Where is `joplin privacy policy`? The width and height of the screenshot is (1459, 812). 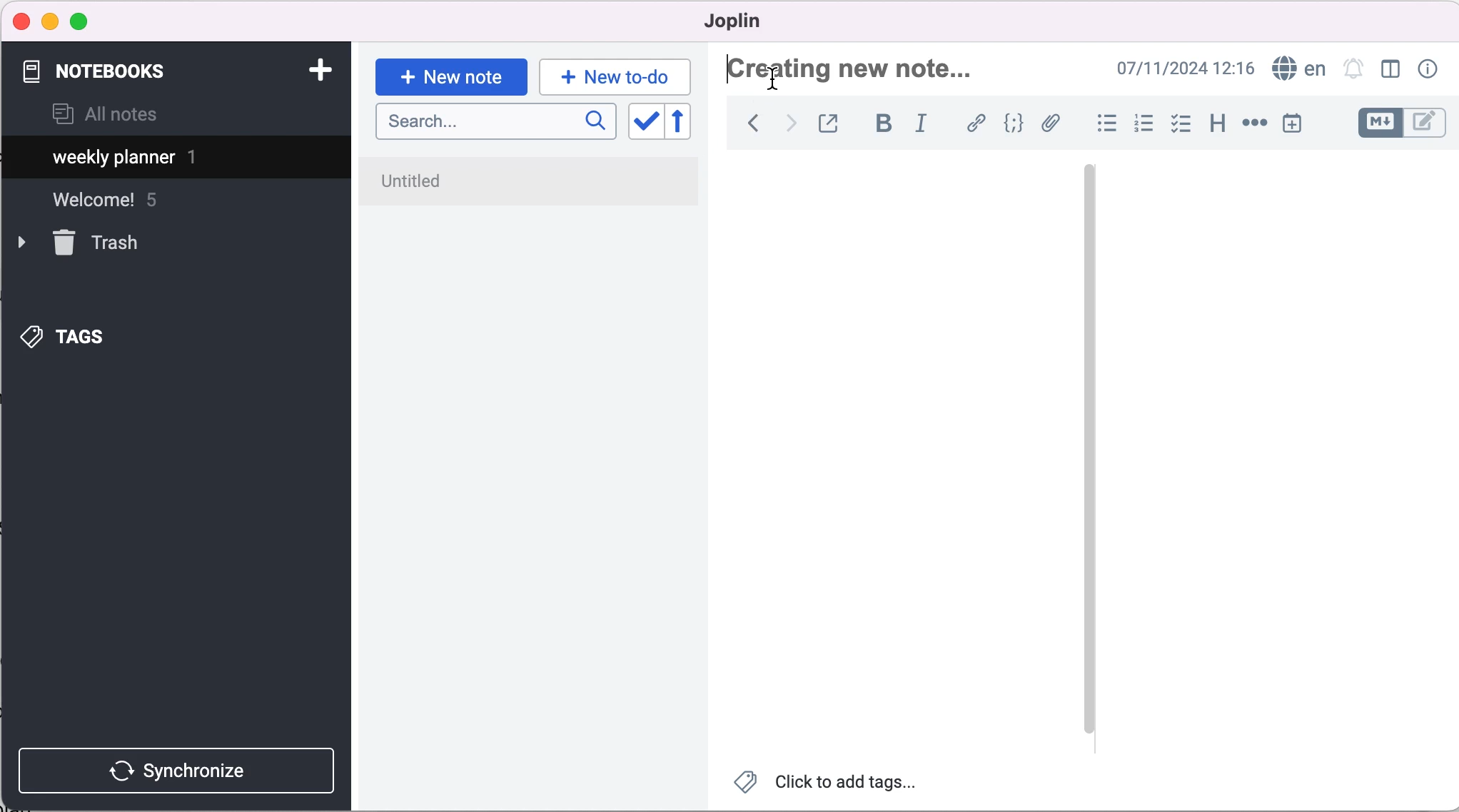
joplin privacy policy is located at coordinates (474, 177).